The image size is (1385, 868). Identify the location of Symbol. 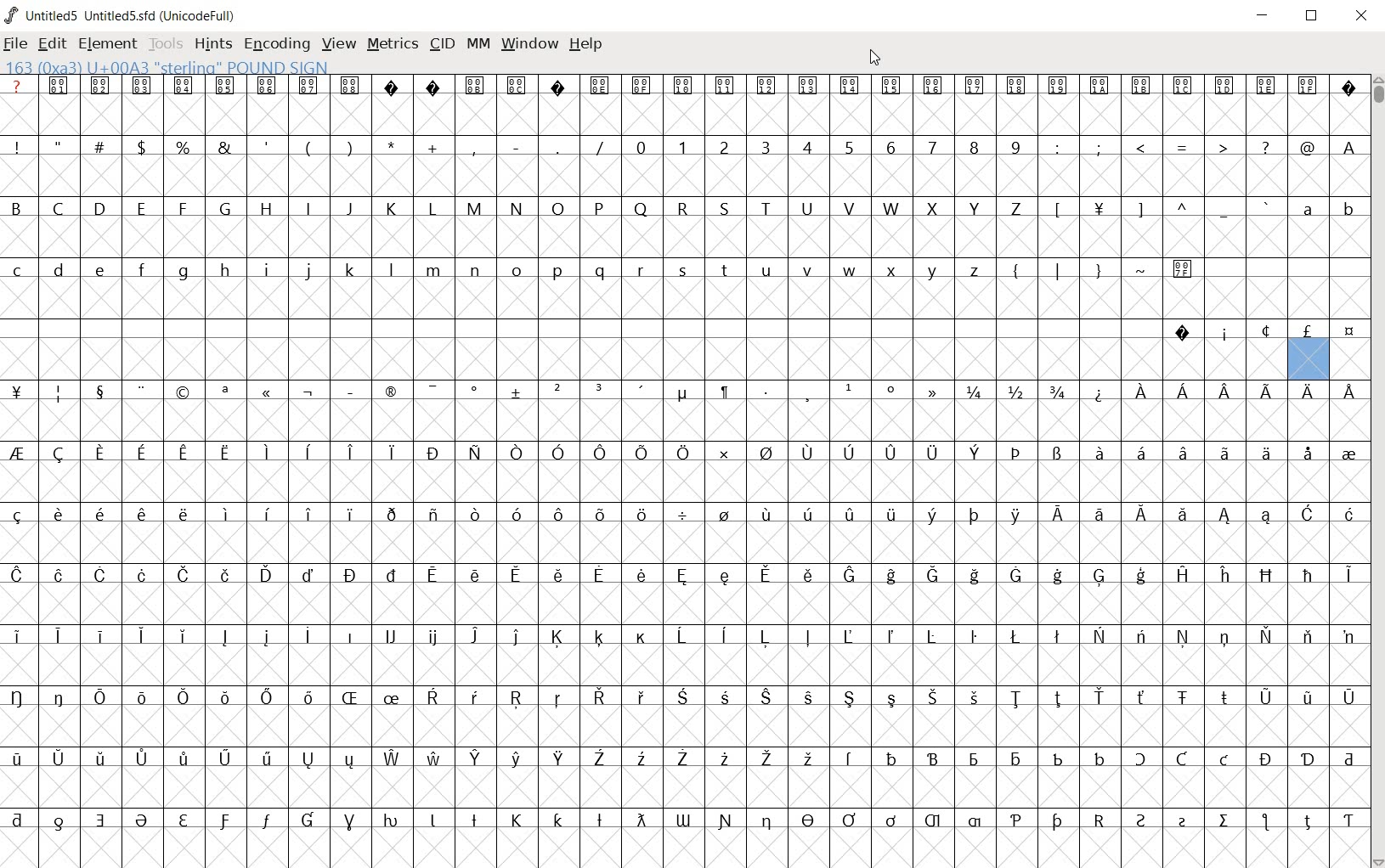
(1266, 575).